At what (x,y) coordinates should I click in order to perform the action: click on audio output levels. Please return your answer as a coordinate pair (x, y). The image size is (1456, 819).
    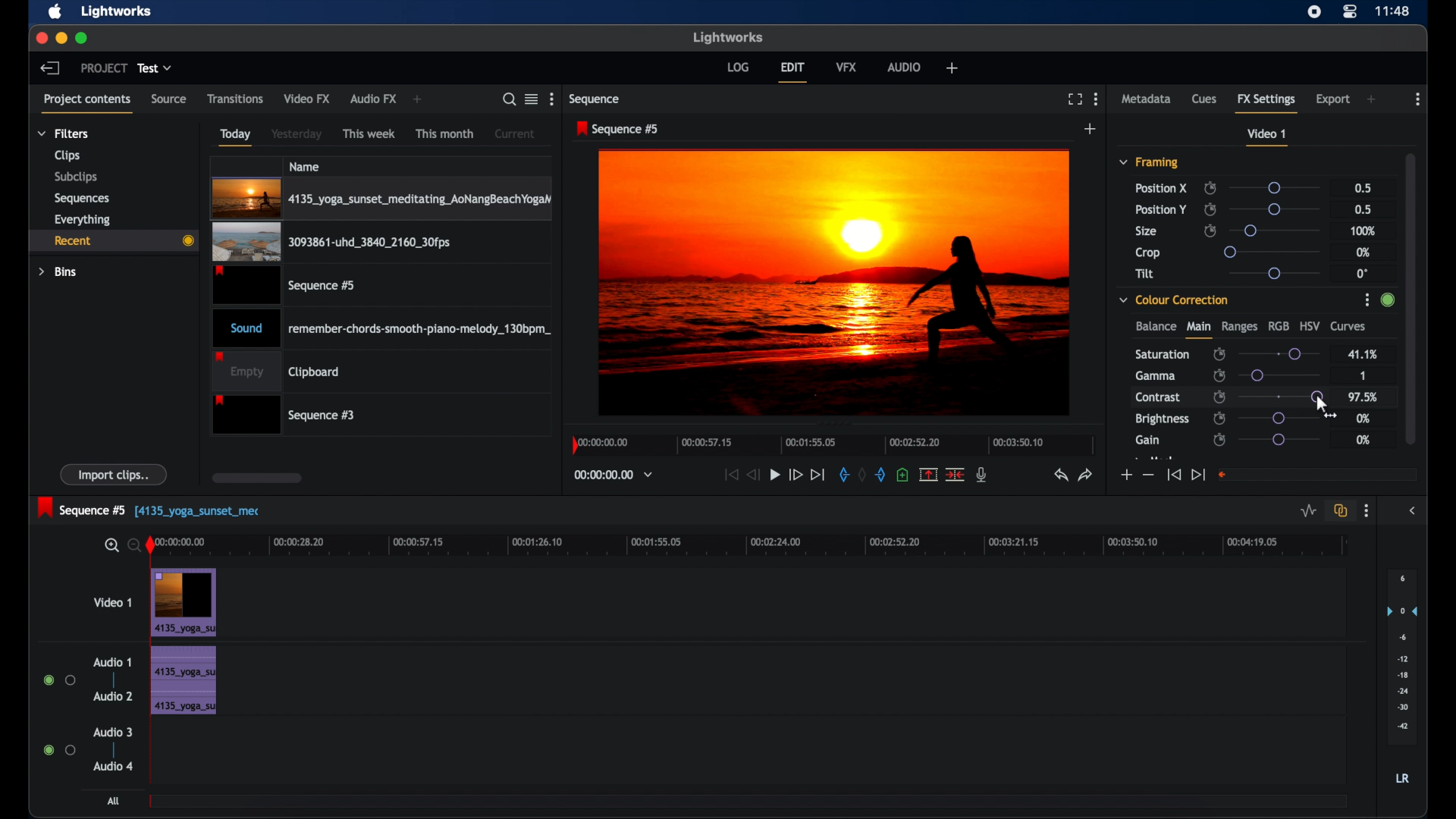
    Looking at the image, I should click on (1401, 657).